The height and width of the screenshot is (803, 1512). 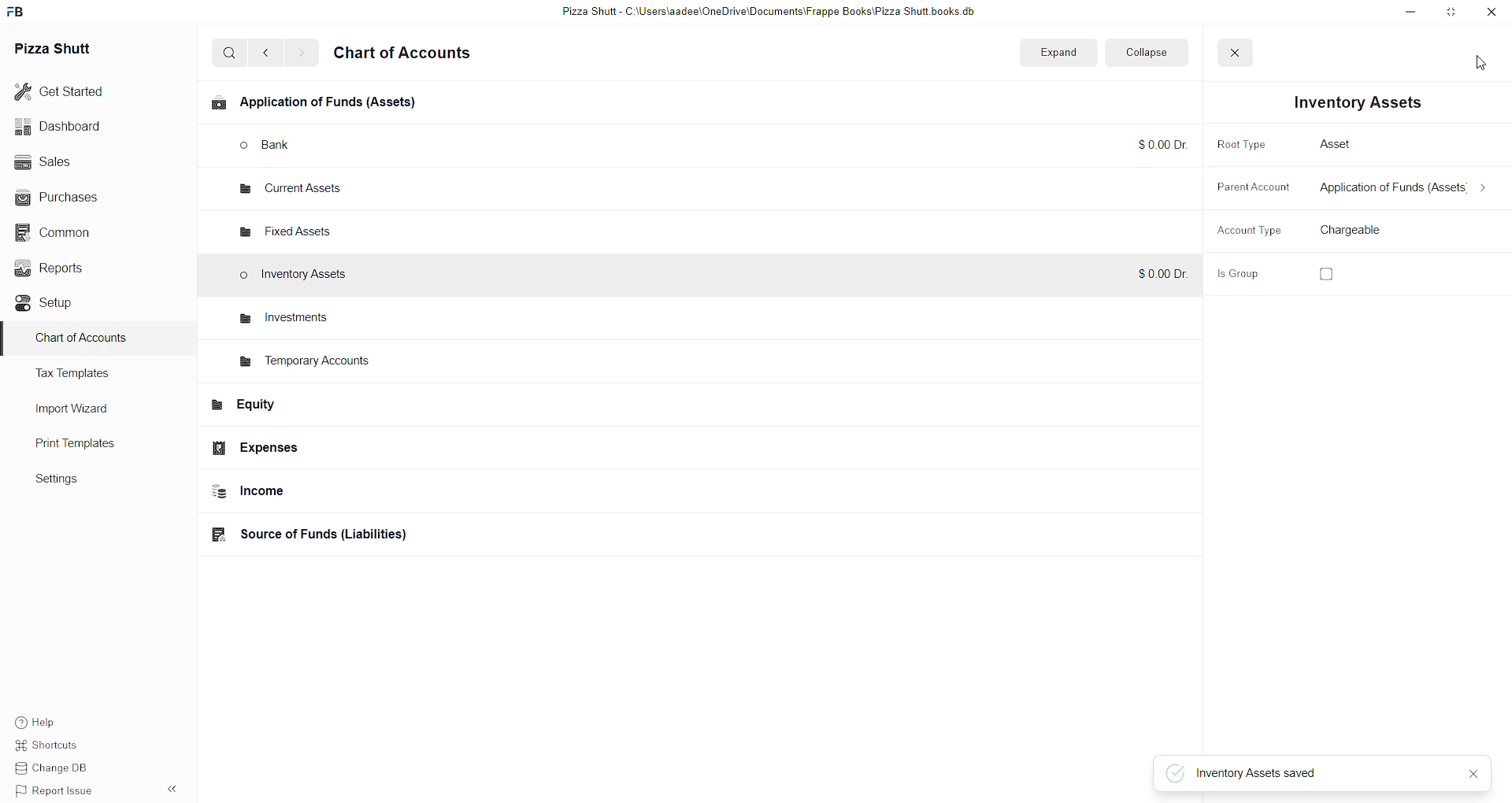 I want to click on select account type, so click(x=1364, y=231).